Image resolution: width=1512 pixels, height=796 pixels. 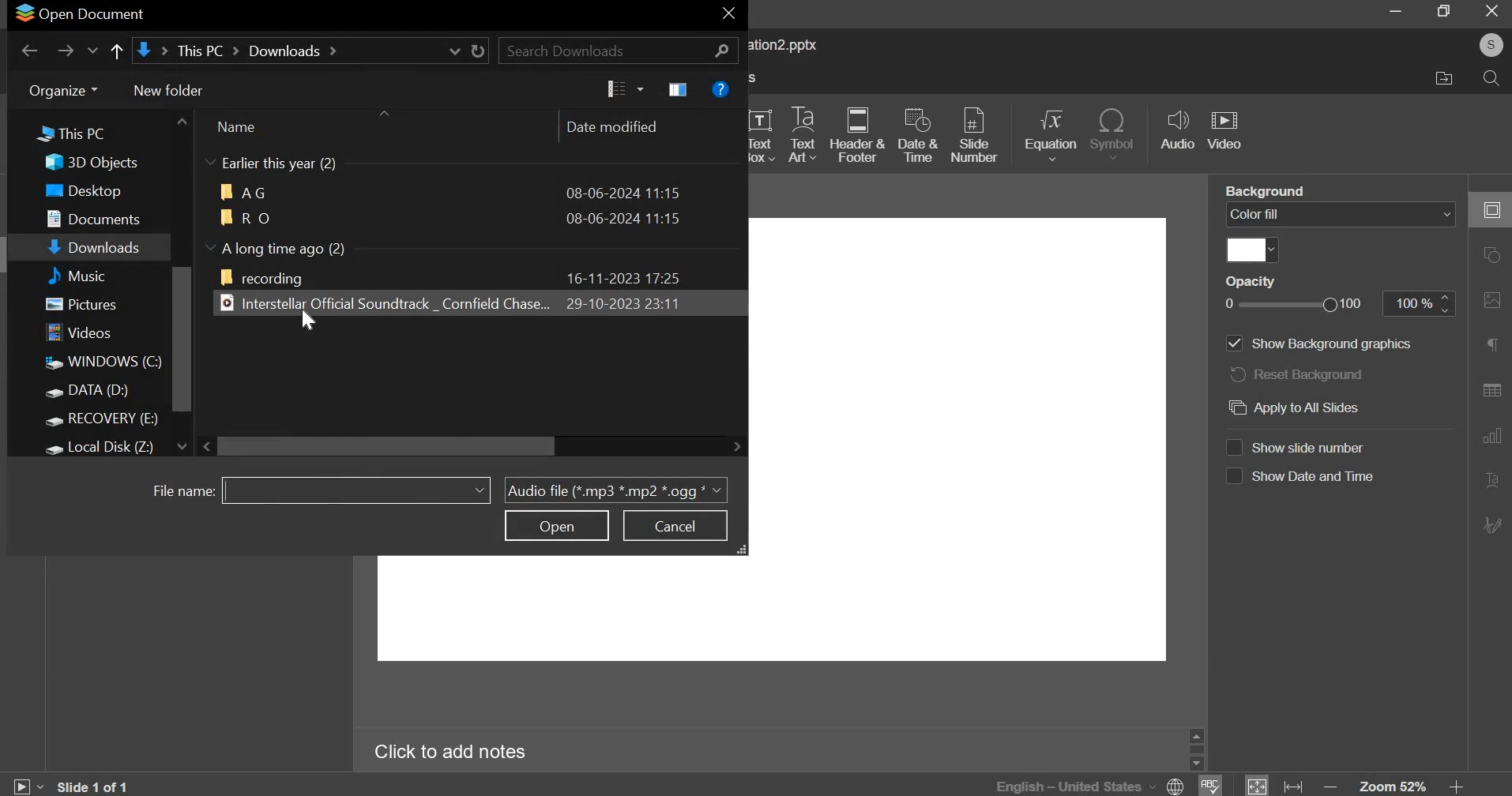 I want to click on DATA (D:), so click(x=88, y=391).